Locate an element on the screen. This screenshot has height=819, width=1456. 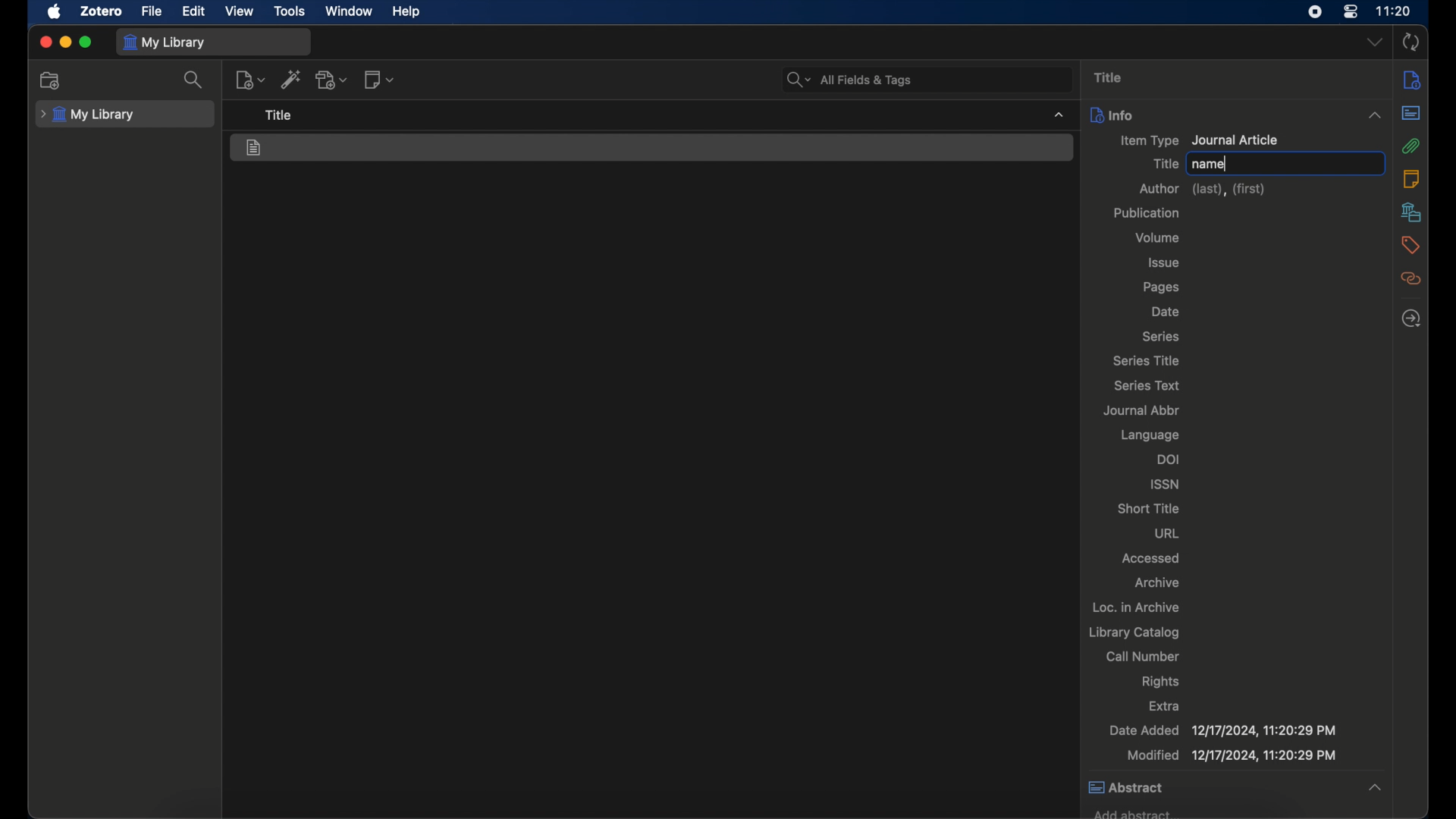
my library is located at coordinates (87, 115).